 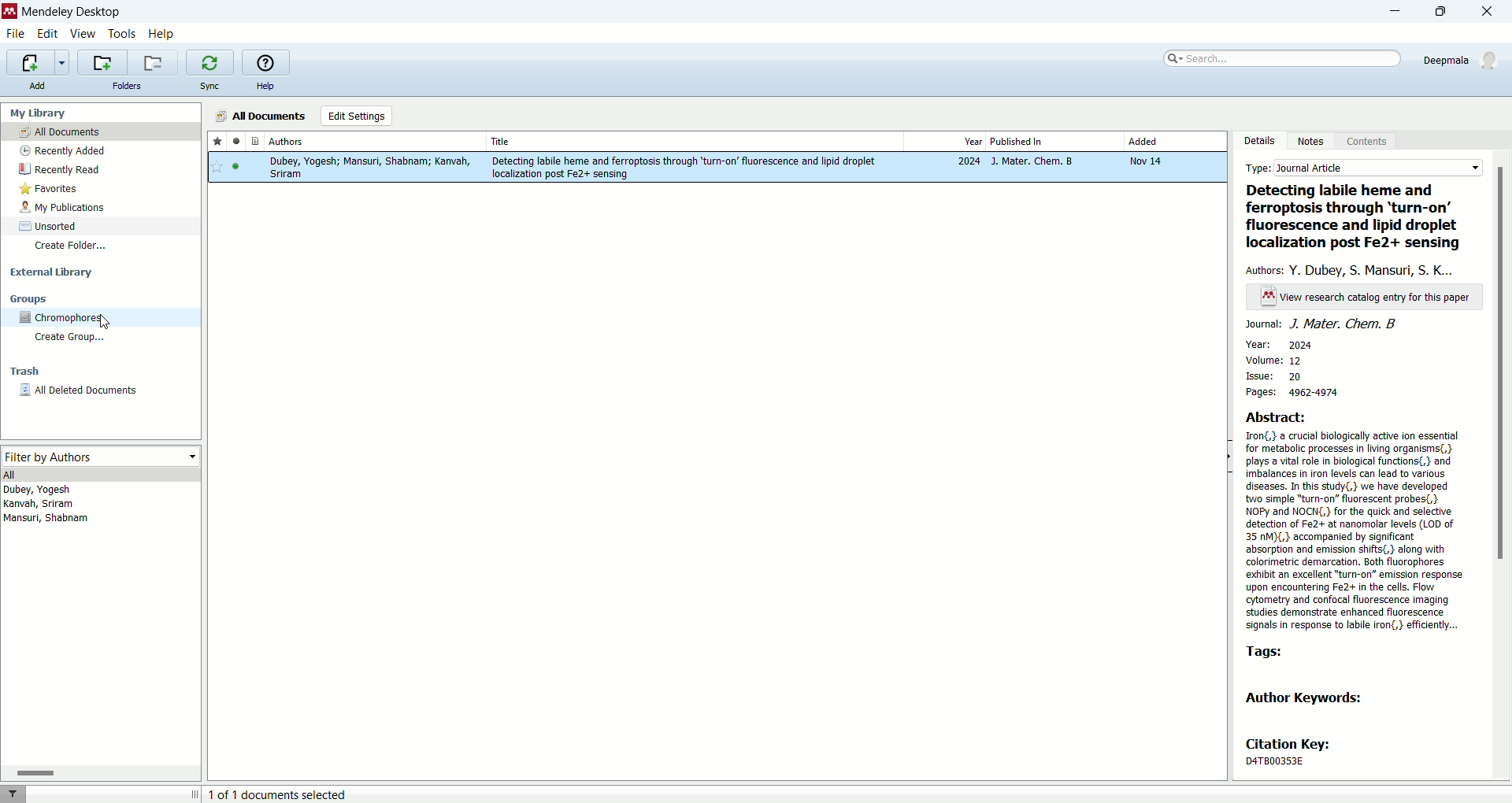 What do you see at coordinates (1272, 361) in the screenshot?
I see `volume: 12` at bounding box center [1272, 361].